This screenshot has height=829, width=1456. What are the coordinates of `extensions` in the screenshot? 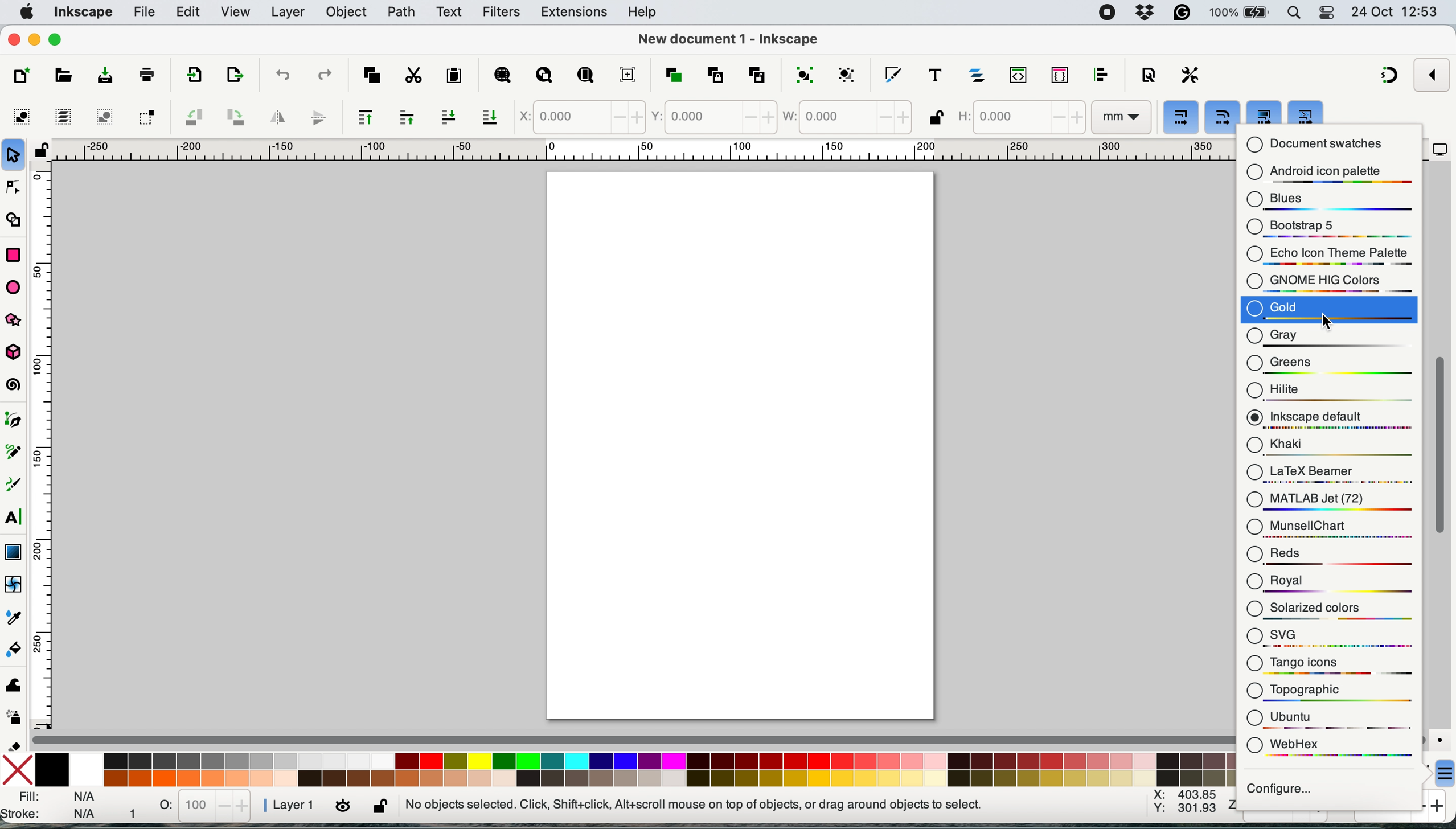 It's located at (575, 13).